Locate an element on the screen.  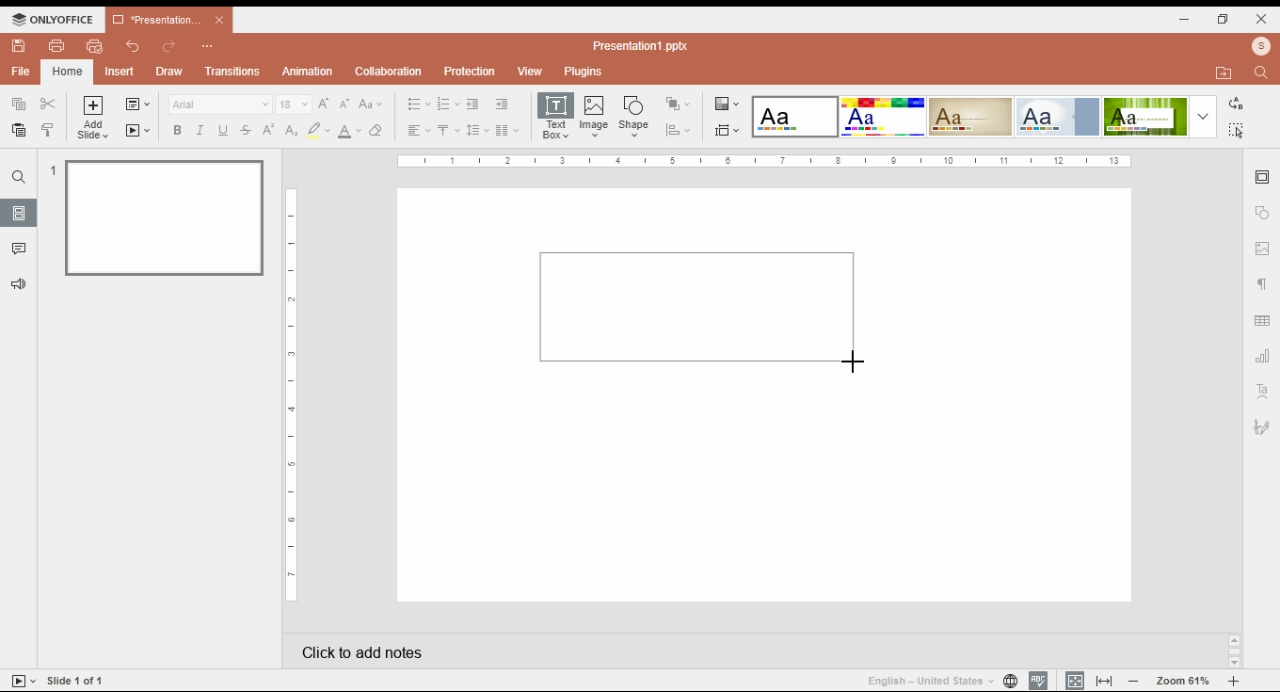
replace is located at coordinates (1237, 102).